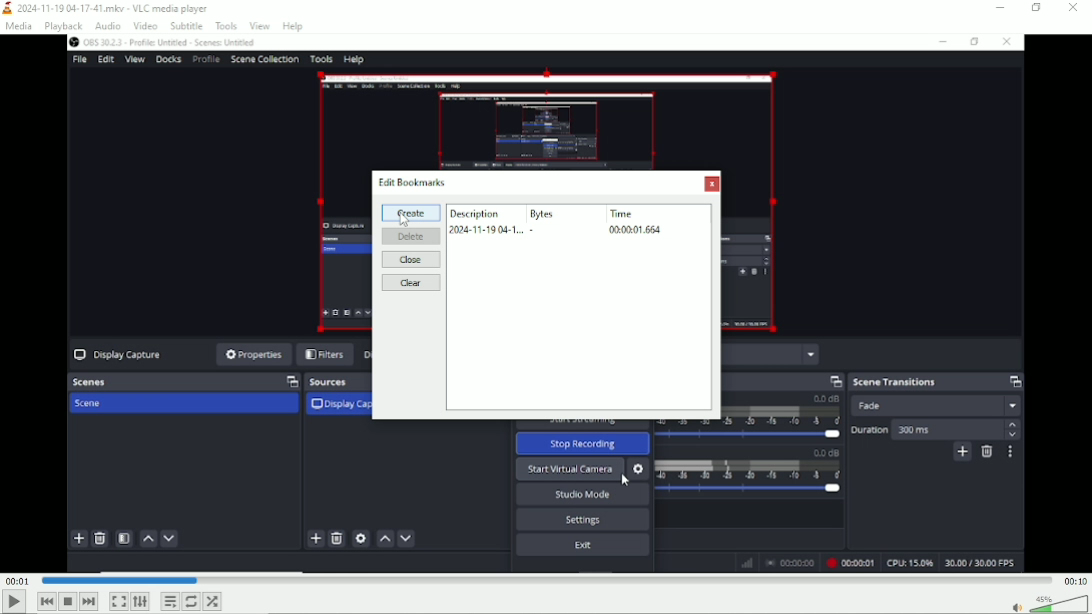 The width and height of the screenshot is (1092, 614). What do you see at coordinates (17, 26) in the screenshot?
I see `Media` at bounding box center [17, 26].